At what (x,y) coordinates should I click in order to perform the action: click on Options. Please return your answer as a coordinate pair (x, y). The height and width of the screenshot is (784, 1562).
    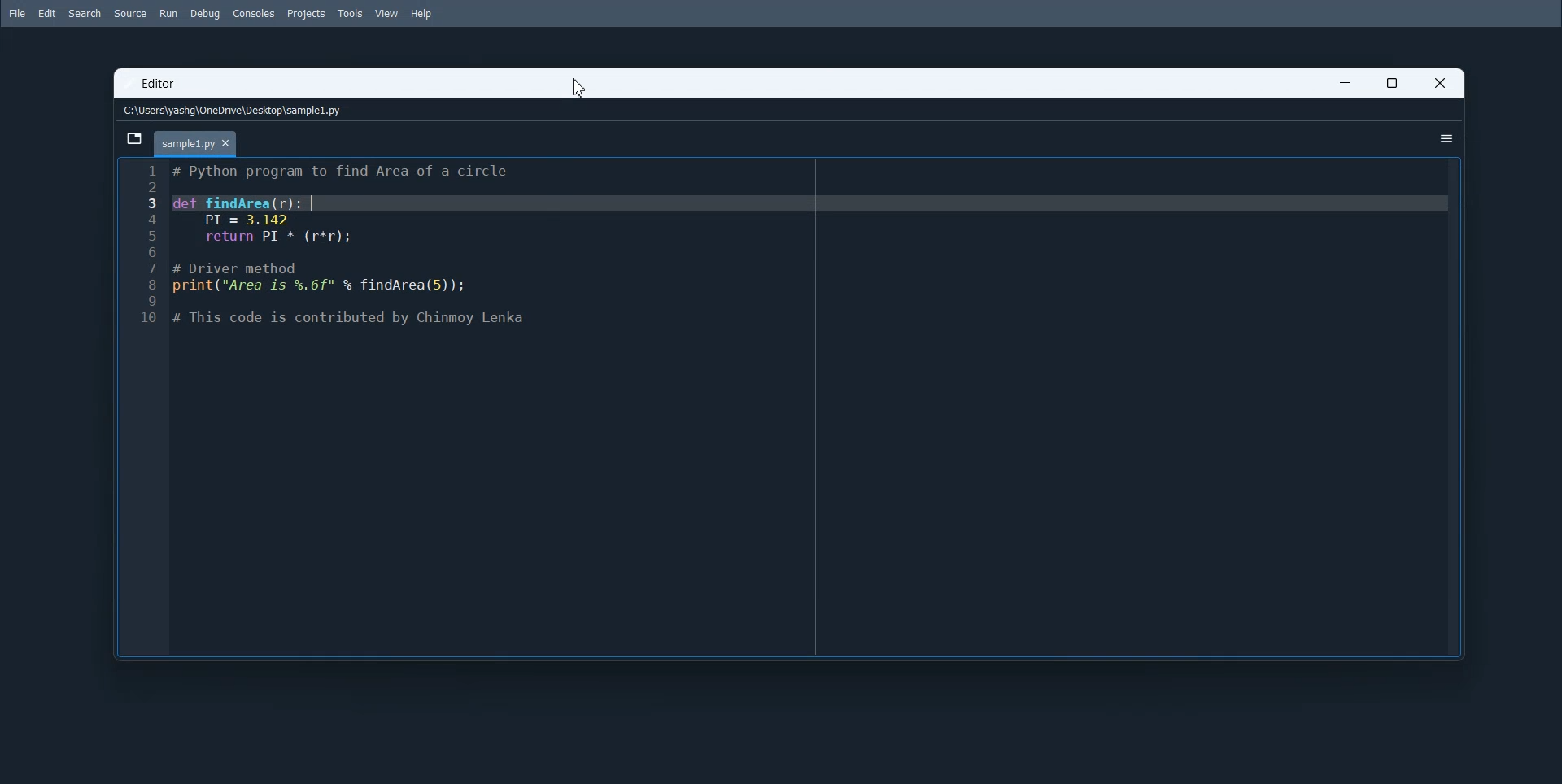
    Looking at the image, I should click on (1446, 138).